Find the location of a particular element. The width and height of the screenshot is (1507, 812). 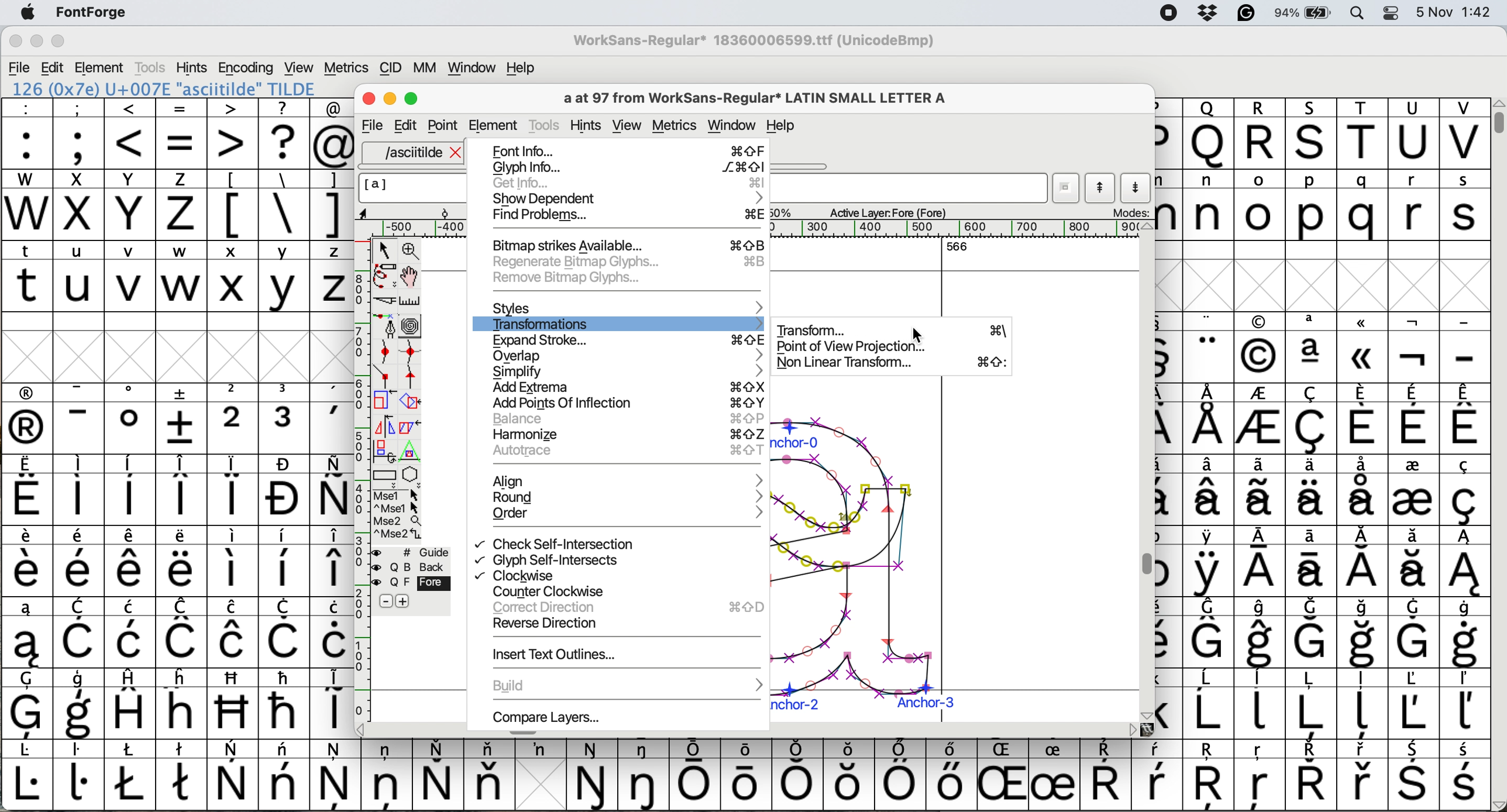

bitmap strikes available is located at coordinates (628, 245).